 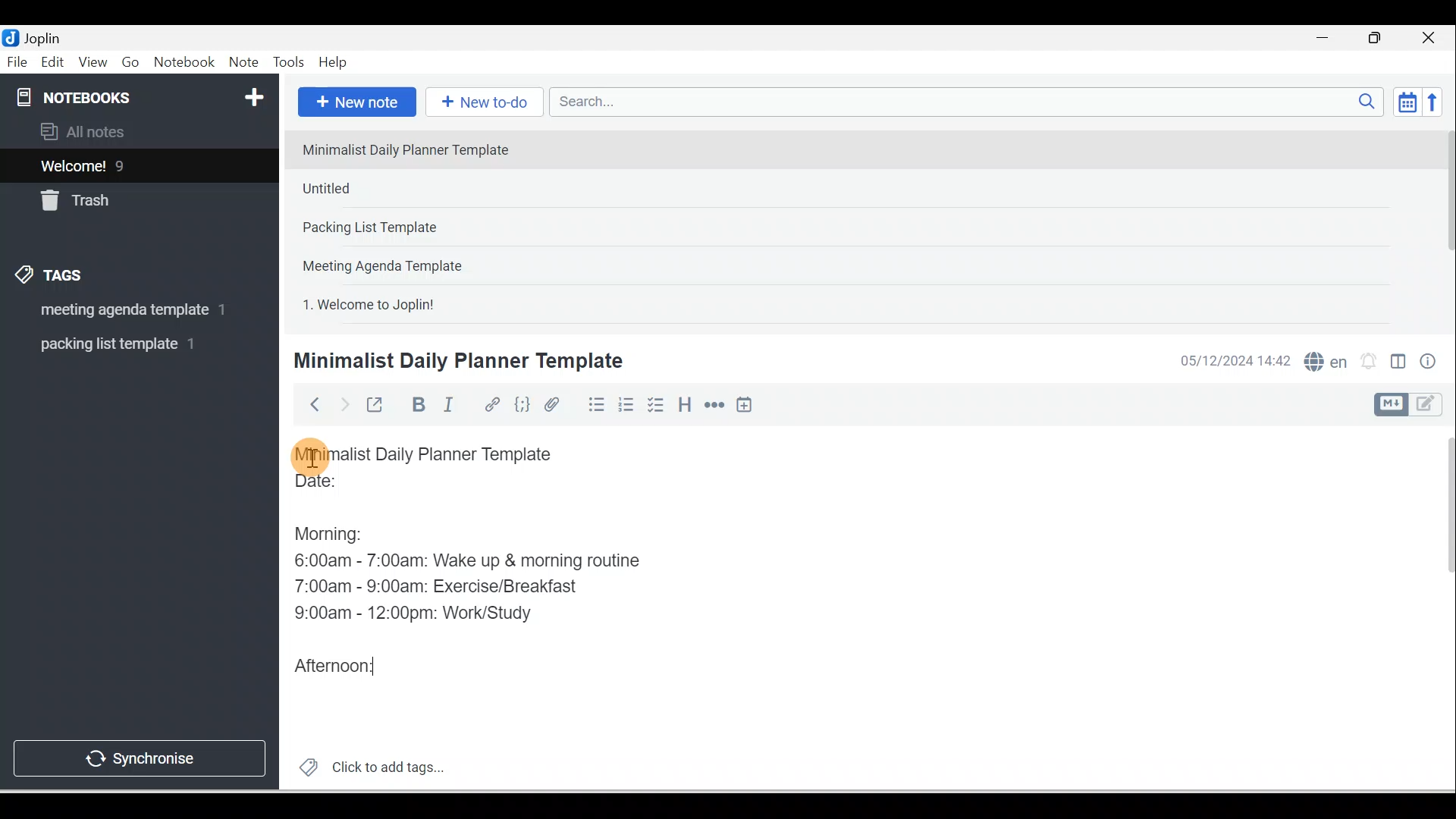 What do you see at coordinates (1432, 38) in the screenshot?
I see `Close` at bounding box center [1432, 38].